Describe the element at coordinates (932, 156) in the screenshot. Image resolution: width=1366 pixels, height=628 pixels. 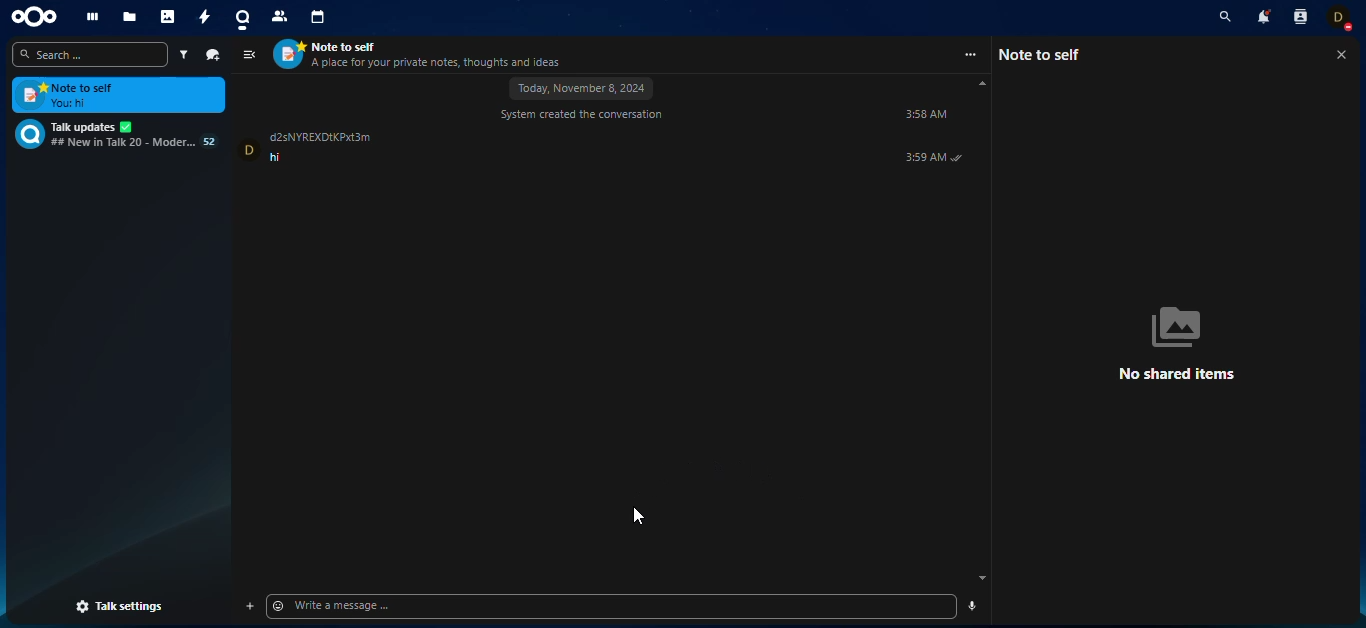
I see `message time` at that location.